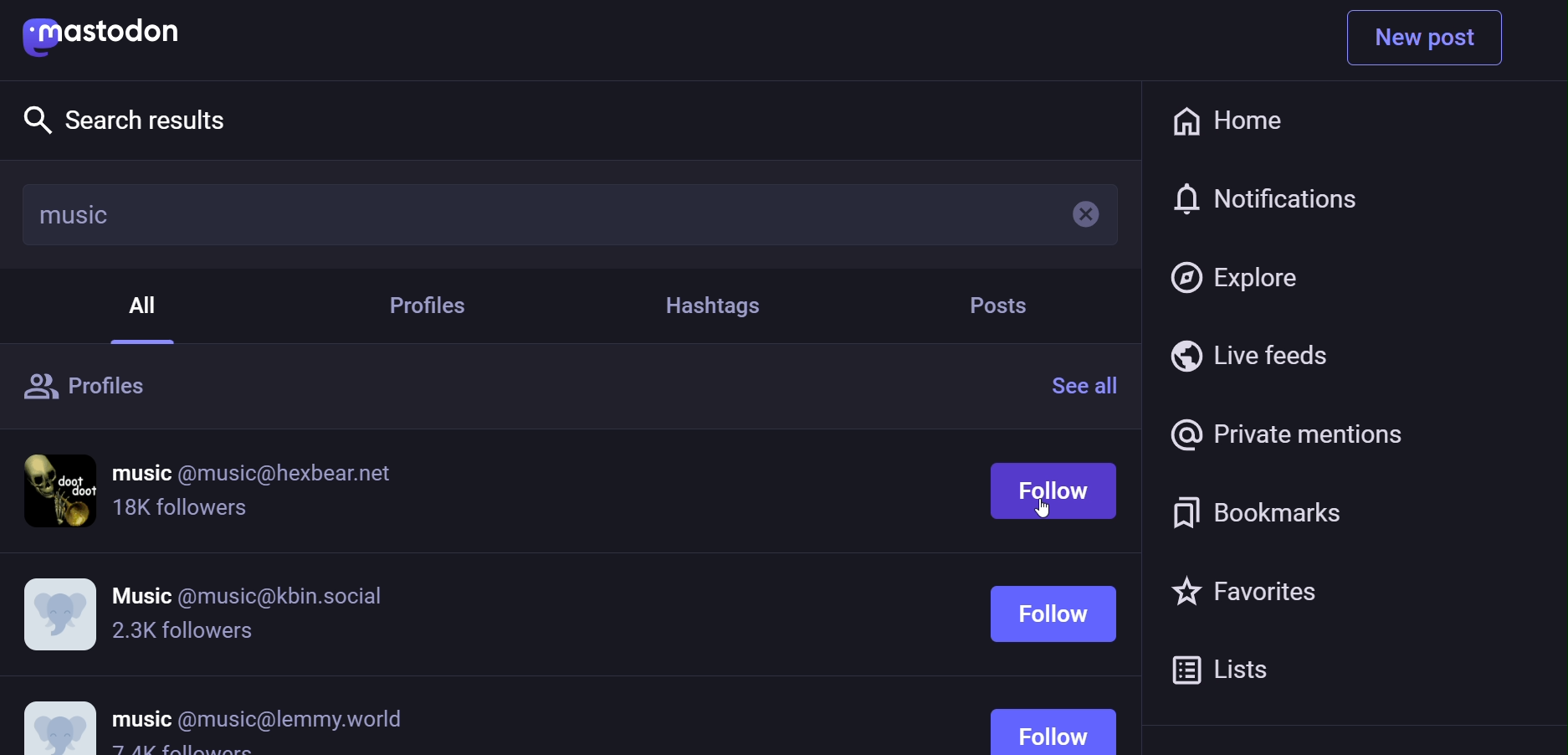  Describe the element at coordinates (148, 302) in the screenshot. I see `all` at that location.